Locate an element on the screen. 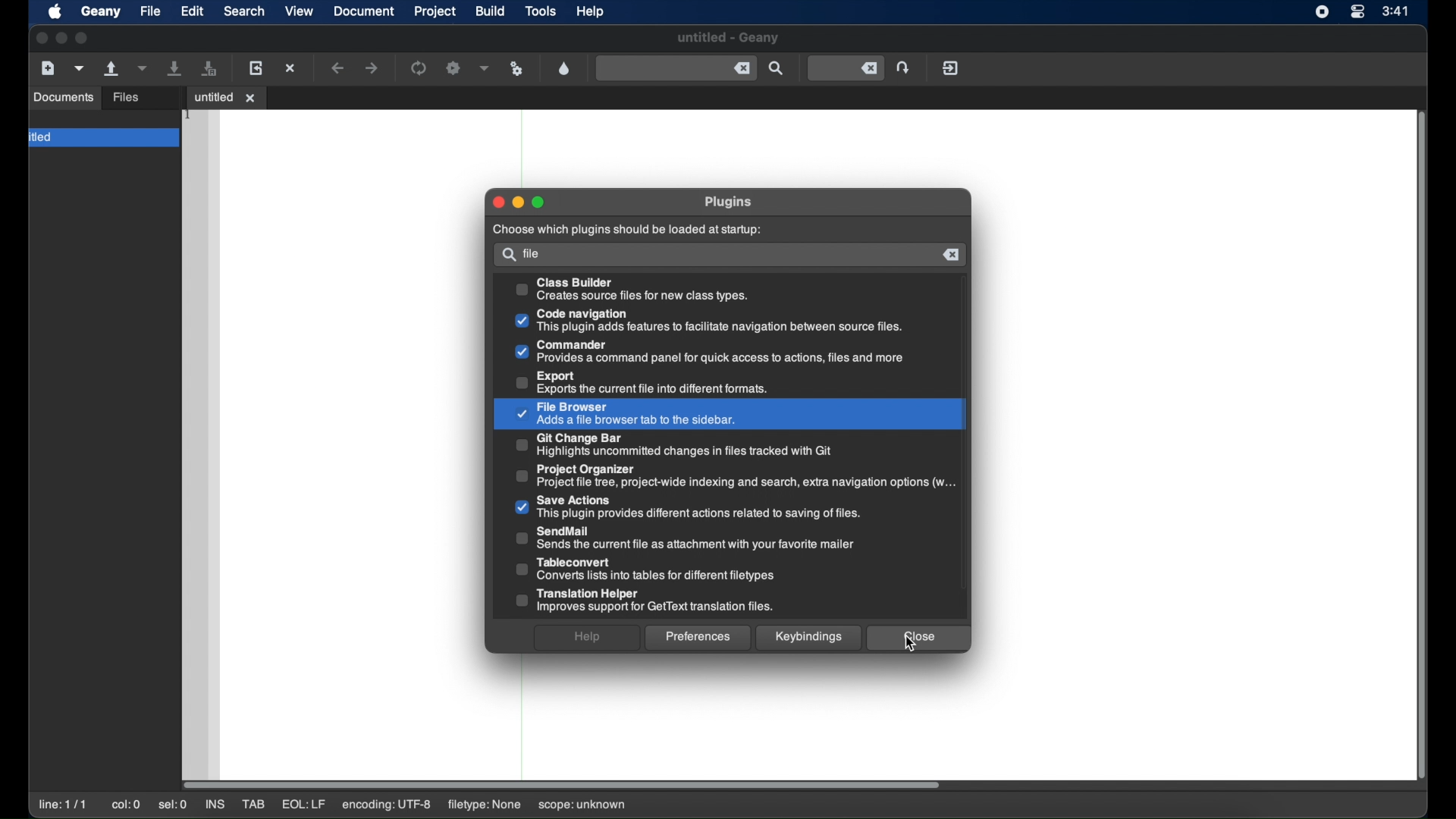 This screenshot has height=819, width=1456. save the current file is located at coordinates (176, 69).